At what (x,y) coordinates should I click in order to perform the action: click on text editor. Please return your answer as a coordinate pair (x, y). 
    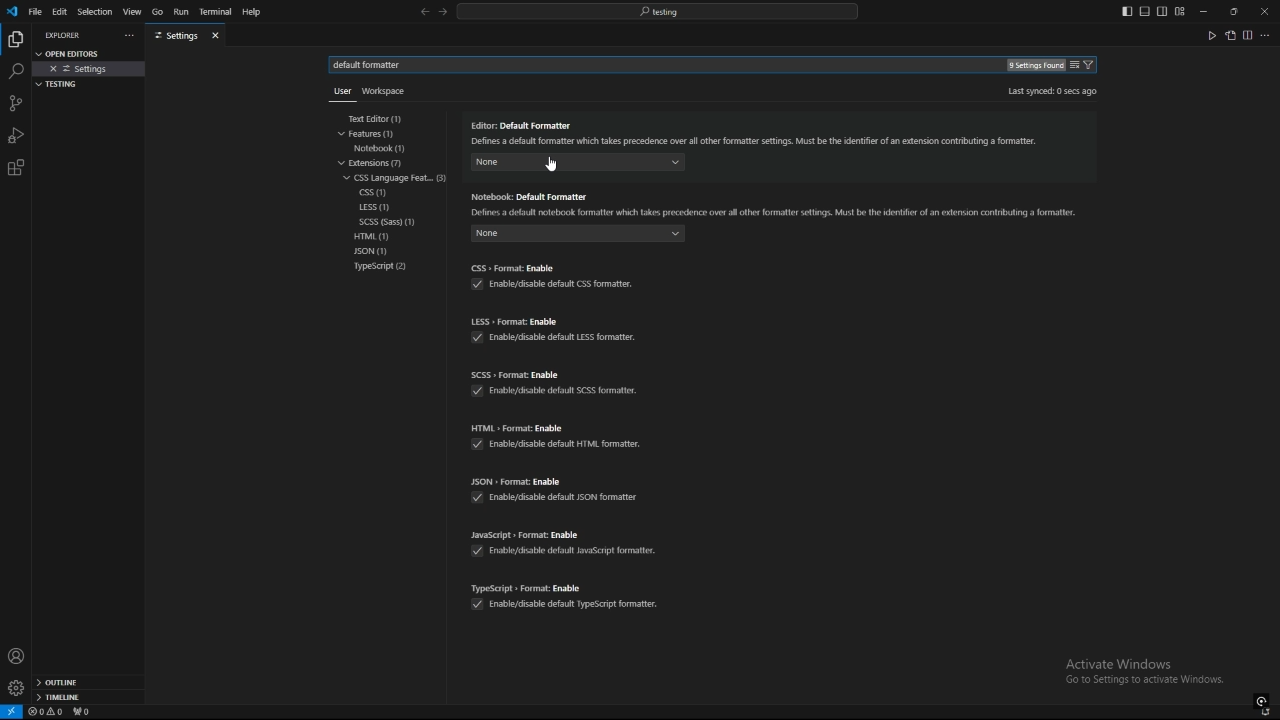
    Looking at the image, I should click on (384, 119).